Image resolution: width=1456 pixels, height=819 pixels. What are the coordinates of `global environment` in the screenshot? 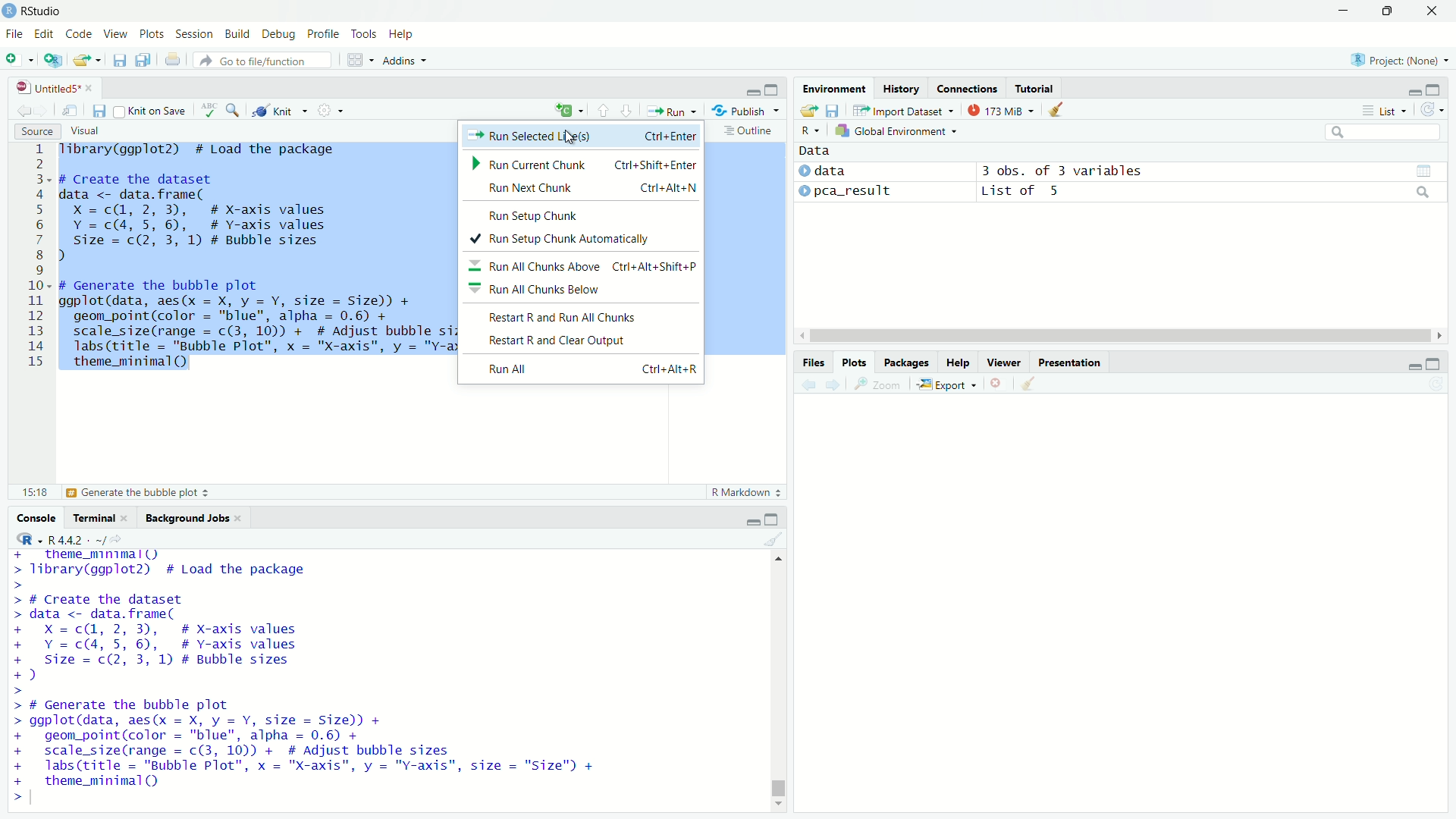 It's located at (899, 130).